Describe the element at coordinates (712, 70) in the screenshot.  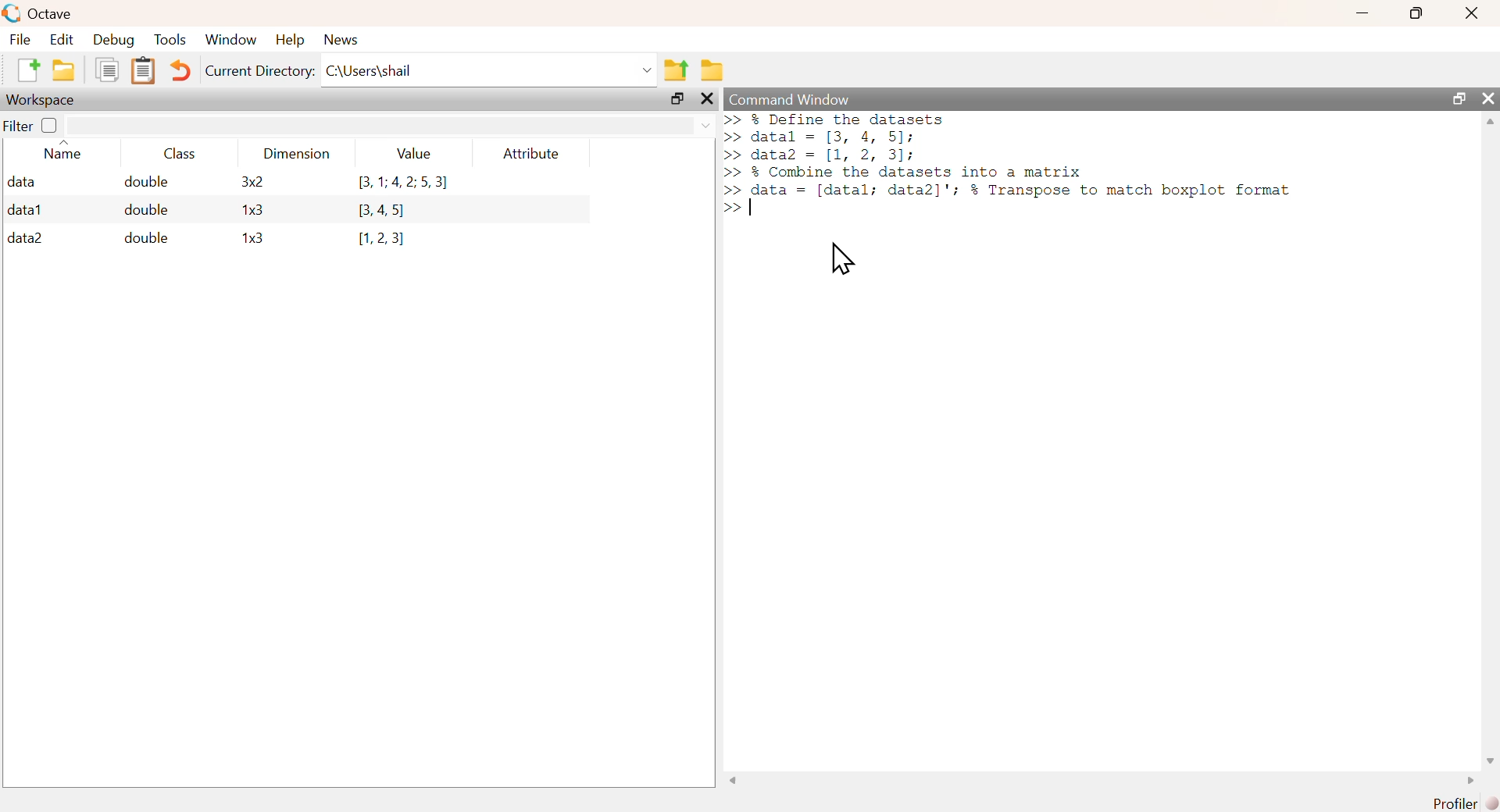
I see `Folder` at that location.